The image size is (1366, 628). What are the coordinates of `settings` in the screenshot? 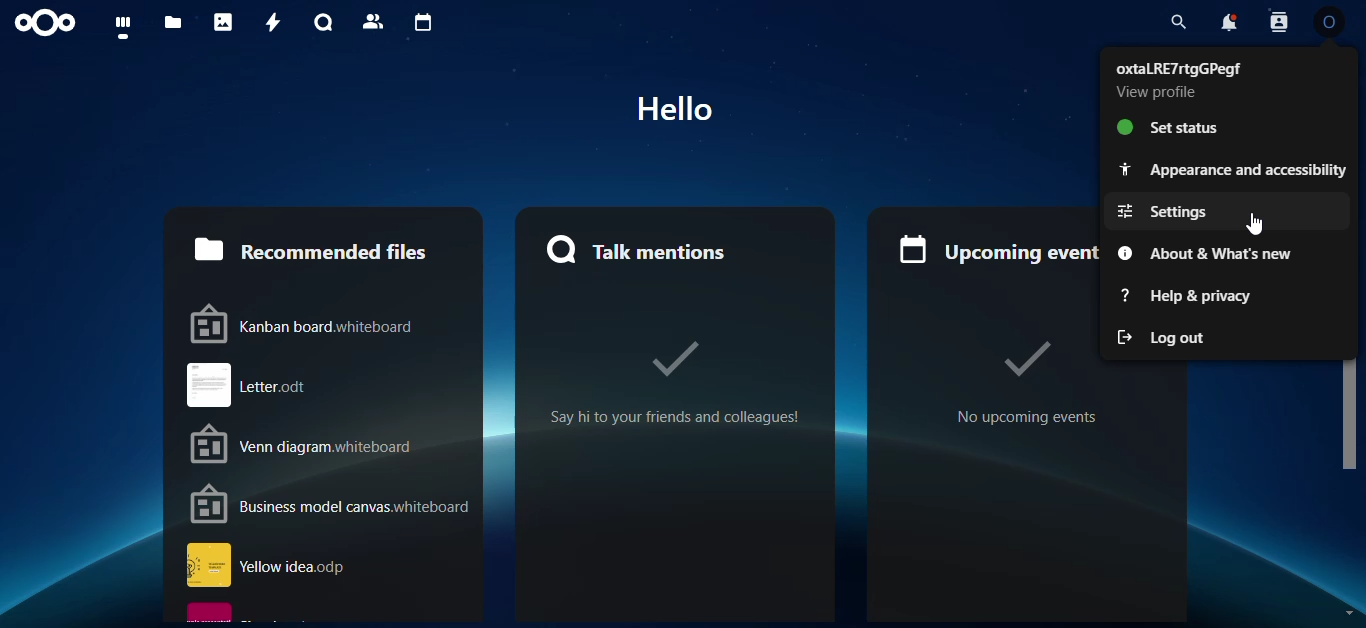 It's located at (1226, 211).